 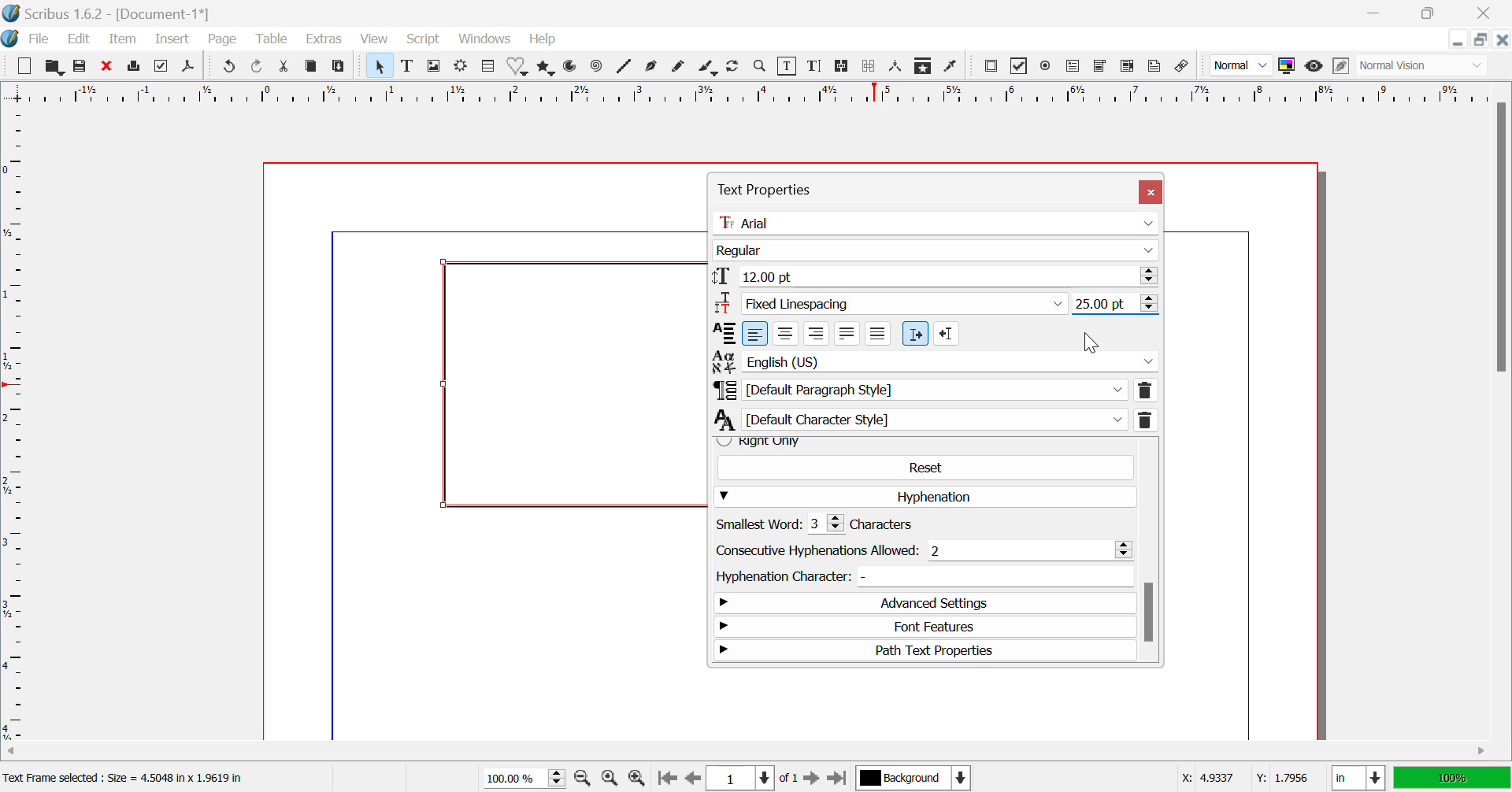 What do you see at coordinates (947, 333) in the screenshot?
I see `Right to left paragraph` at bounding box center [947, 333].